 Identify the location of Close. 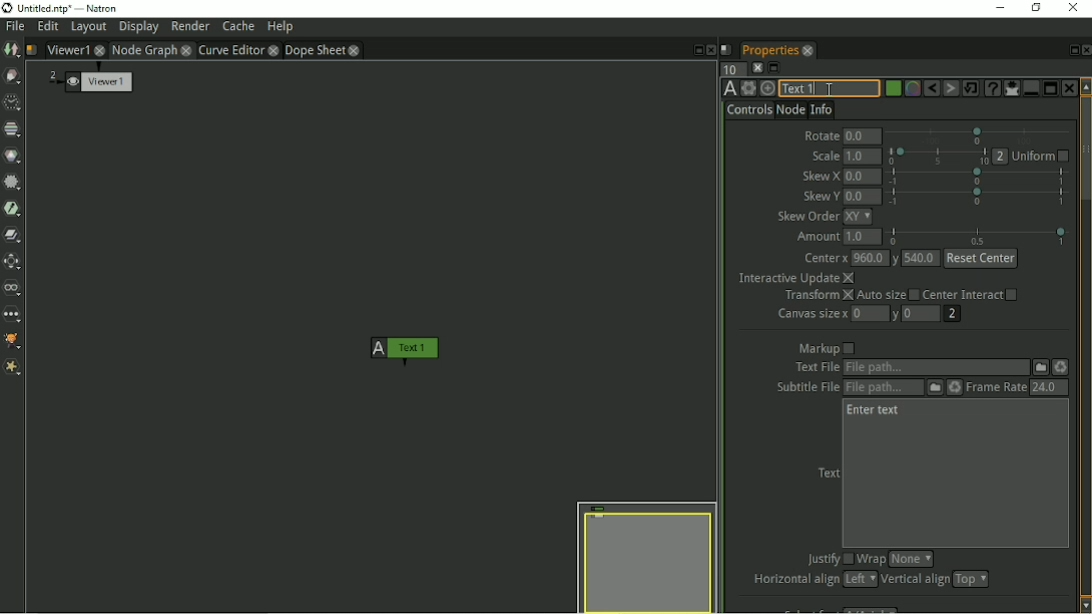
(712, 51).